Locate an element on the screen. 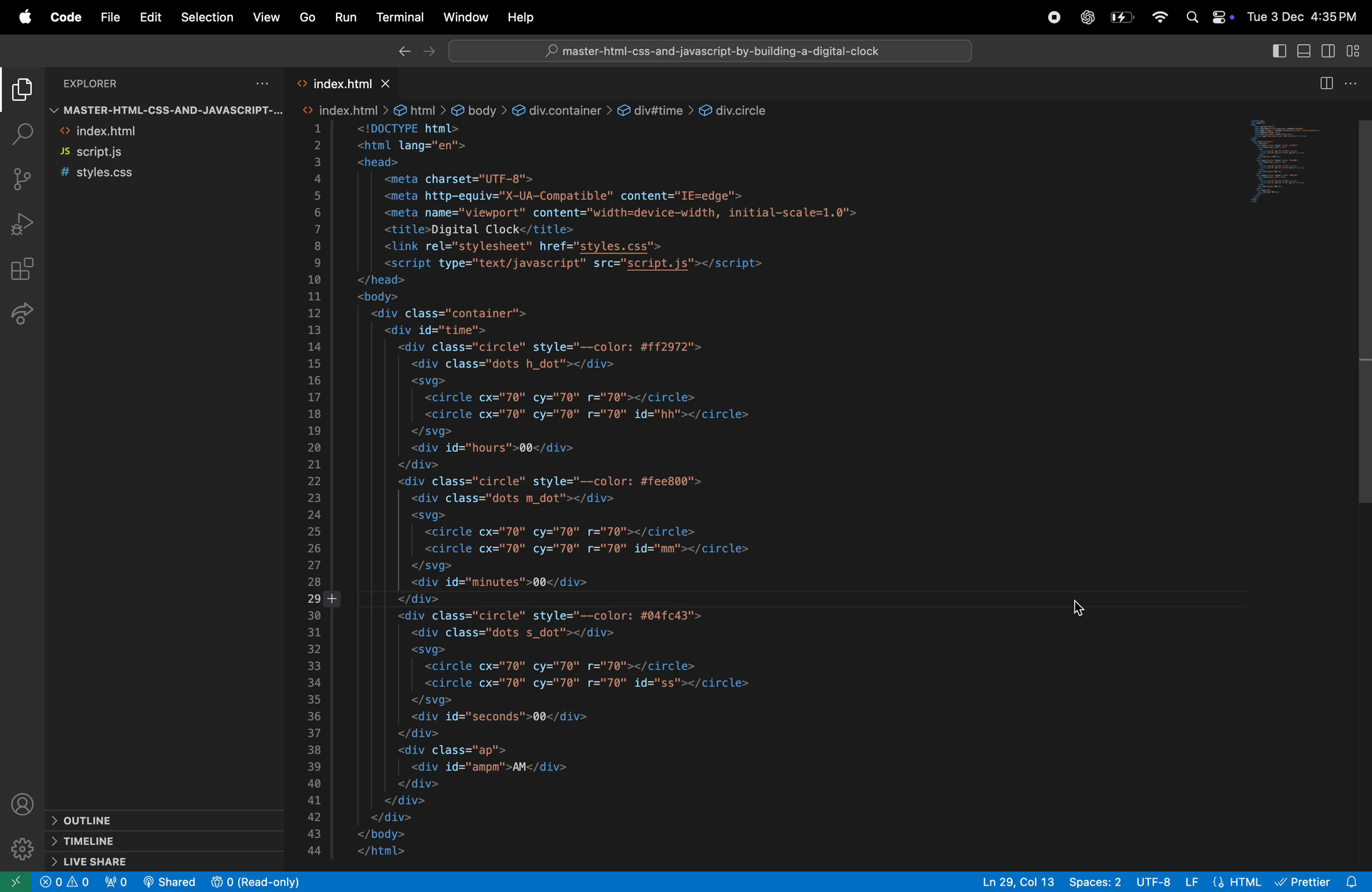 The height and width of the screenshot is (892, 1372). outline is located at coordinates (89, 817).